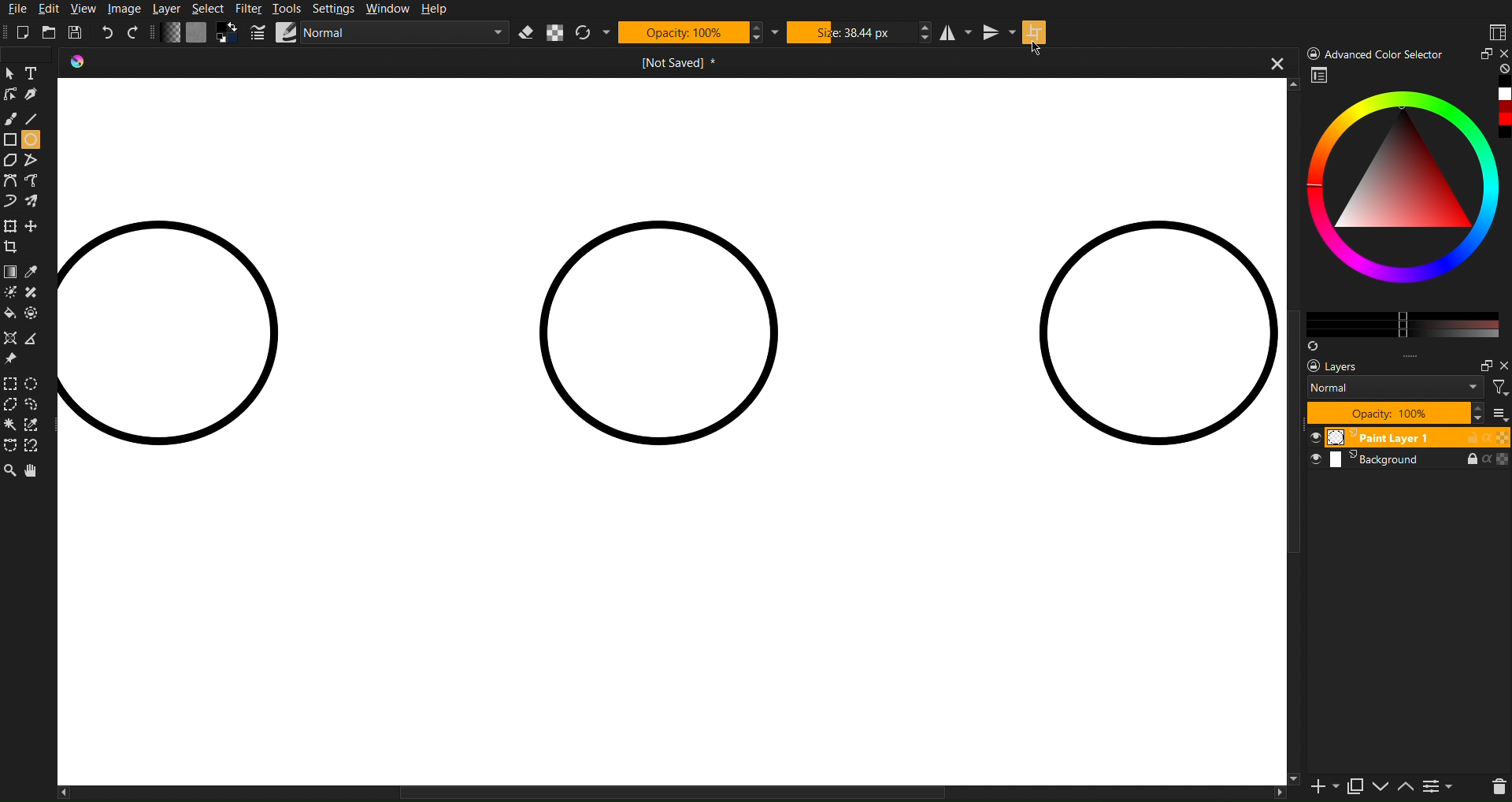 This screenshot has width=1512, height=802. Describe the element at coordinates (1501, 412) in the screenshot. I see `more` at that location.